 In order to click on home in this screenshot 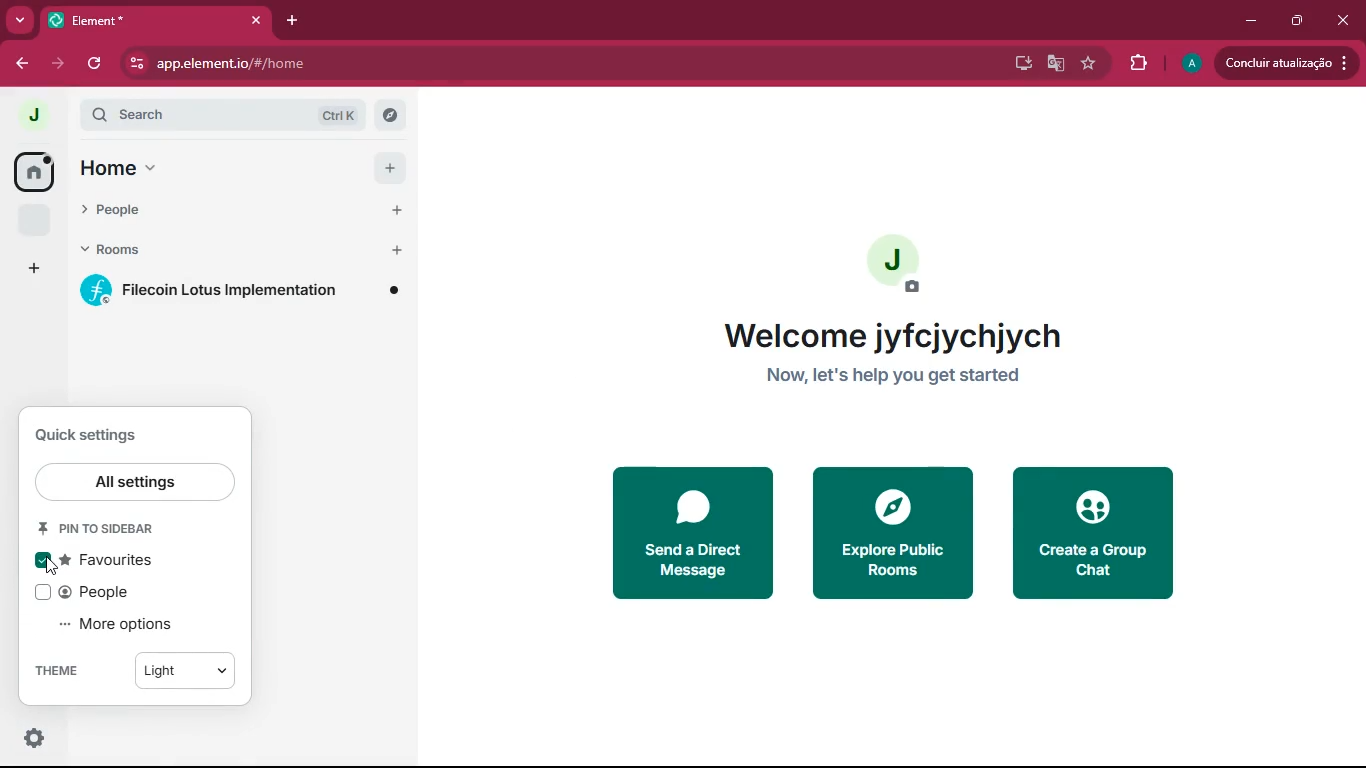, I will do `click(107, 171)`.